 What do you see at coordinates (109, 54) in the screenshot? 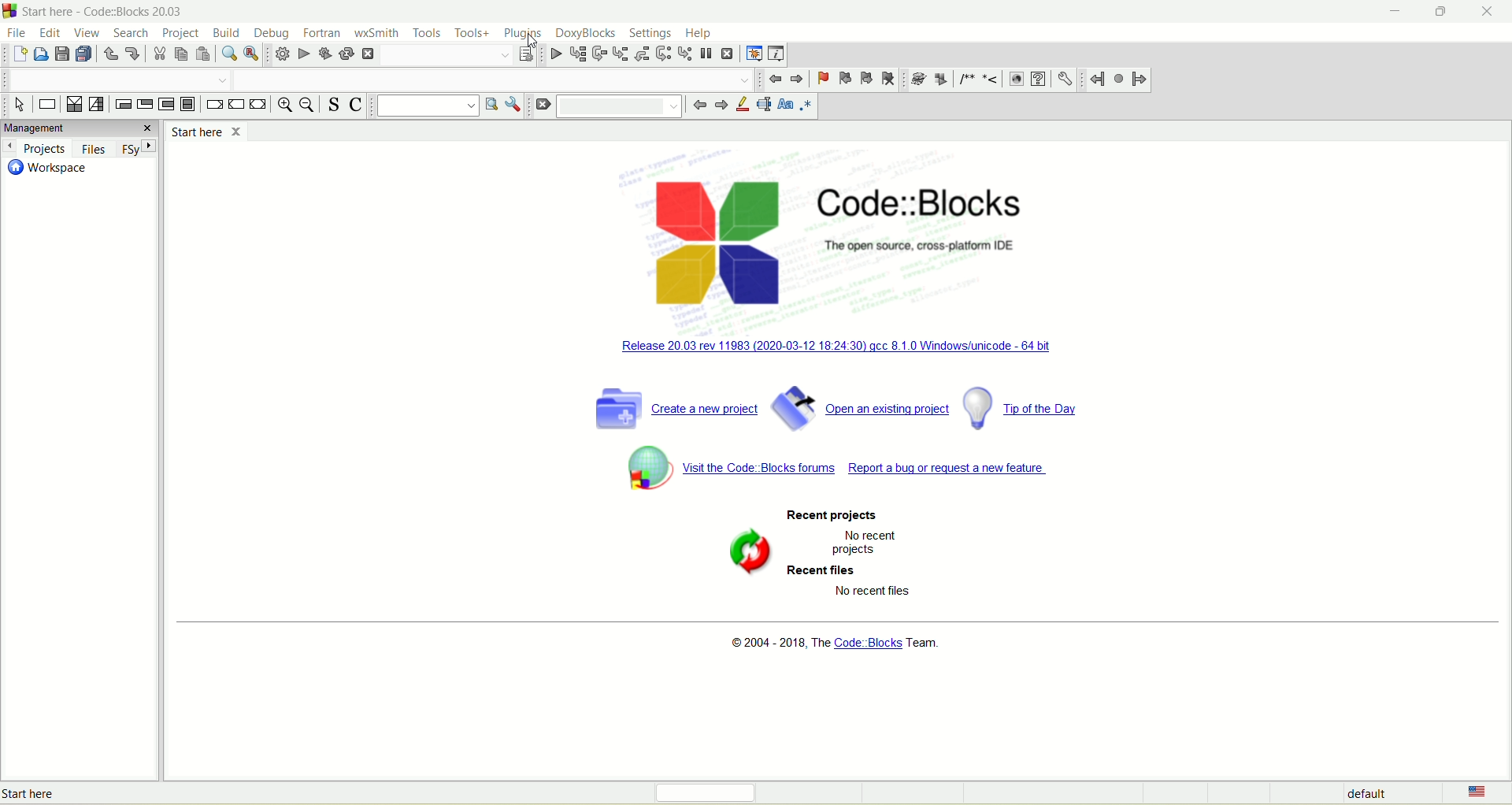
I see `undo` at bounding box center [109, 54].